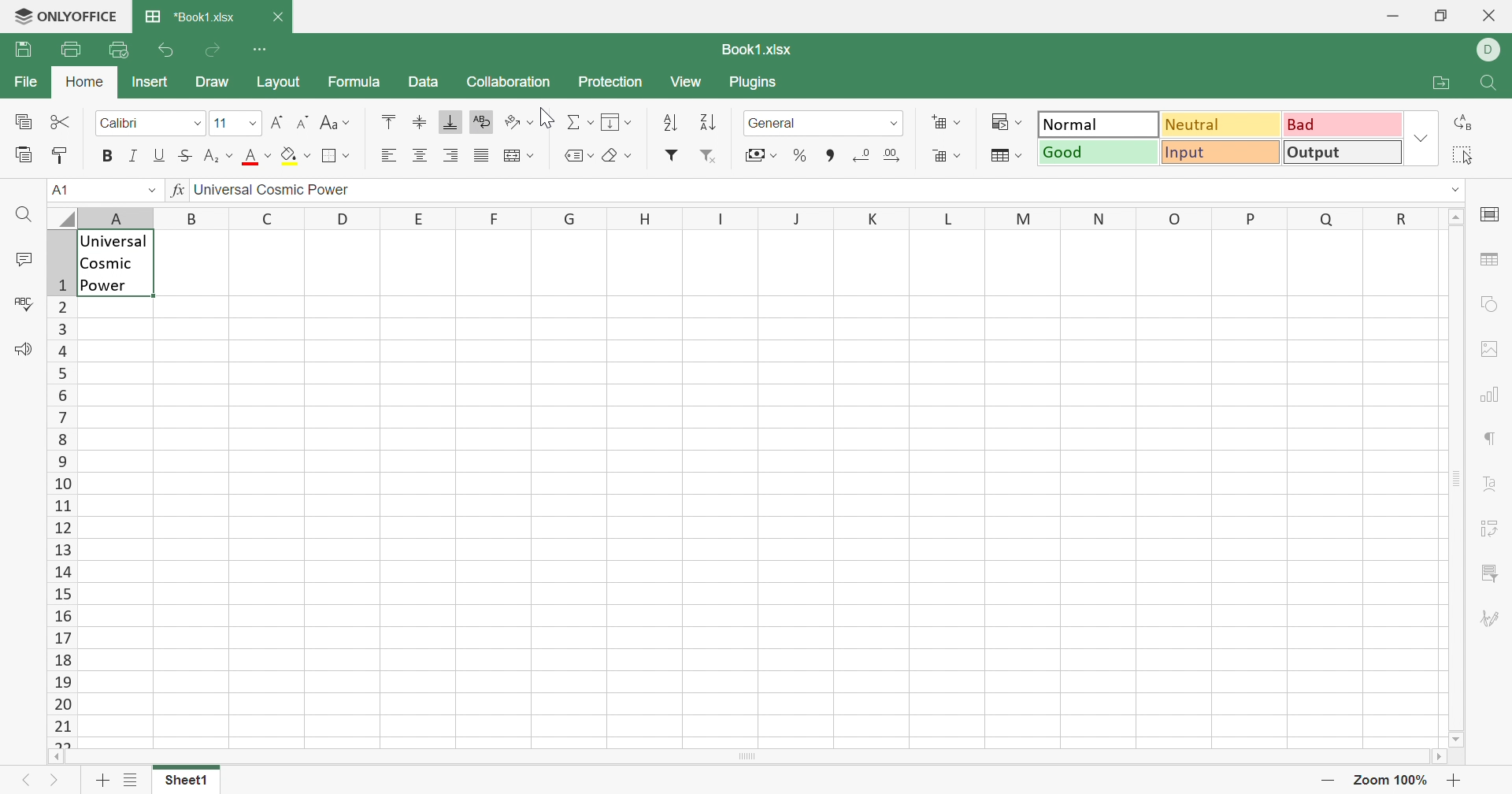  I want to click on Underline, so click(158, 155).